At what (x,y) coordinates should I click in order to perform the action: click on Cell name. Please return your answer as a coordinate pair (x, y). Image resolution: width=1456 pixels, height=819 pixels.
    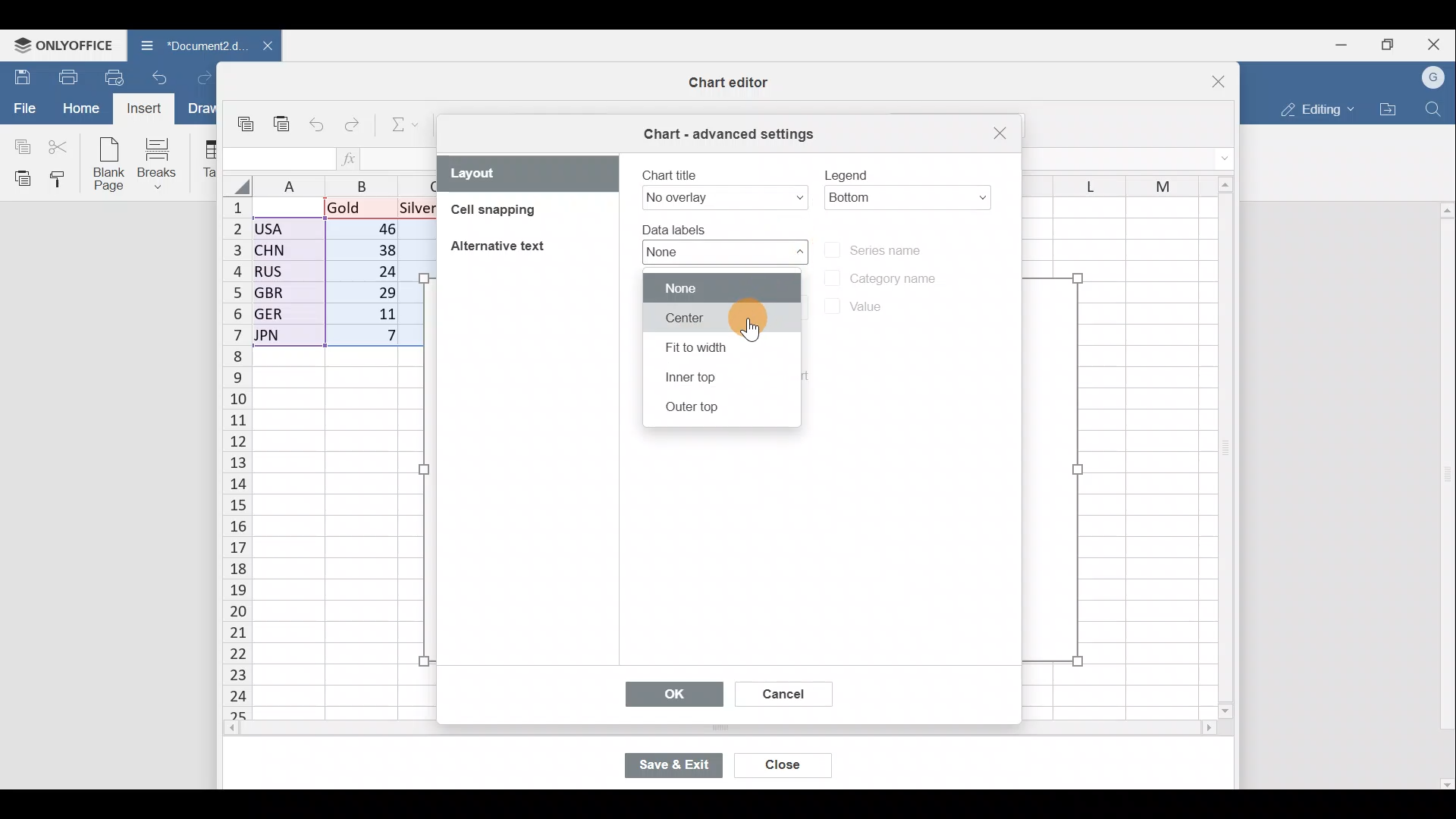
    Looking at the image, I should click on (277, 159).